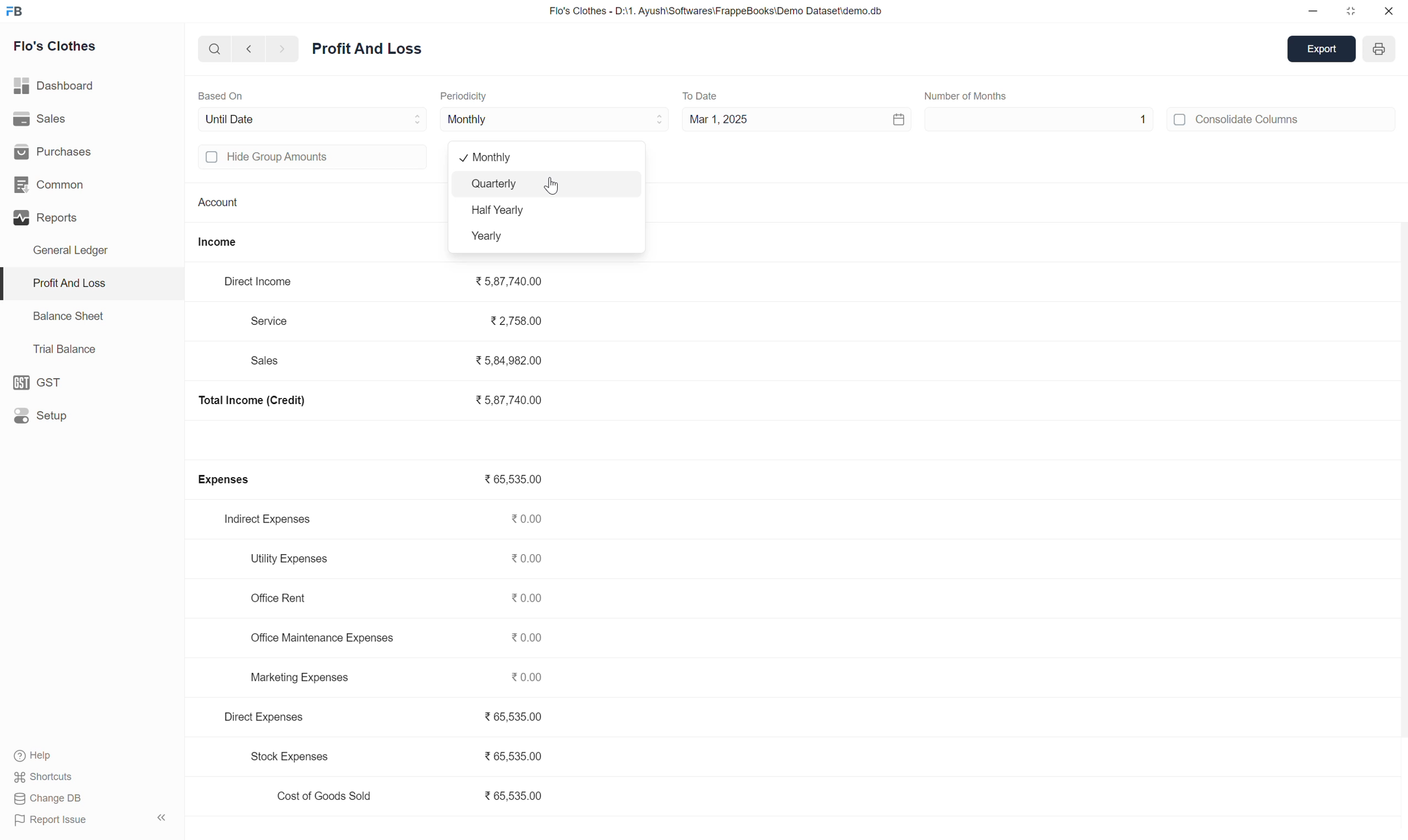  I want to click on Calendar, so click(884, 119).